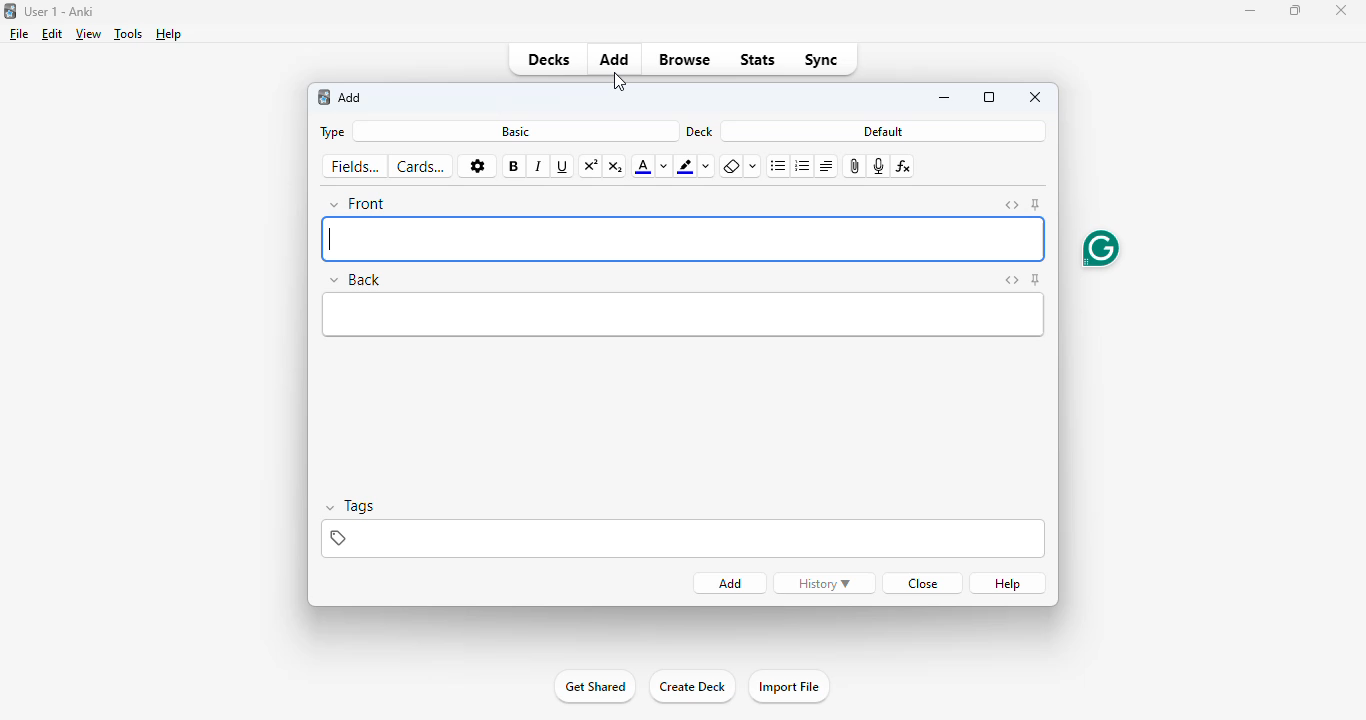 The image size is (1366, 720). What do you see at coordinates (169, 34) in the screenshot?
I see `help` at bounding box center [169, 34].